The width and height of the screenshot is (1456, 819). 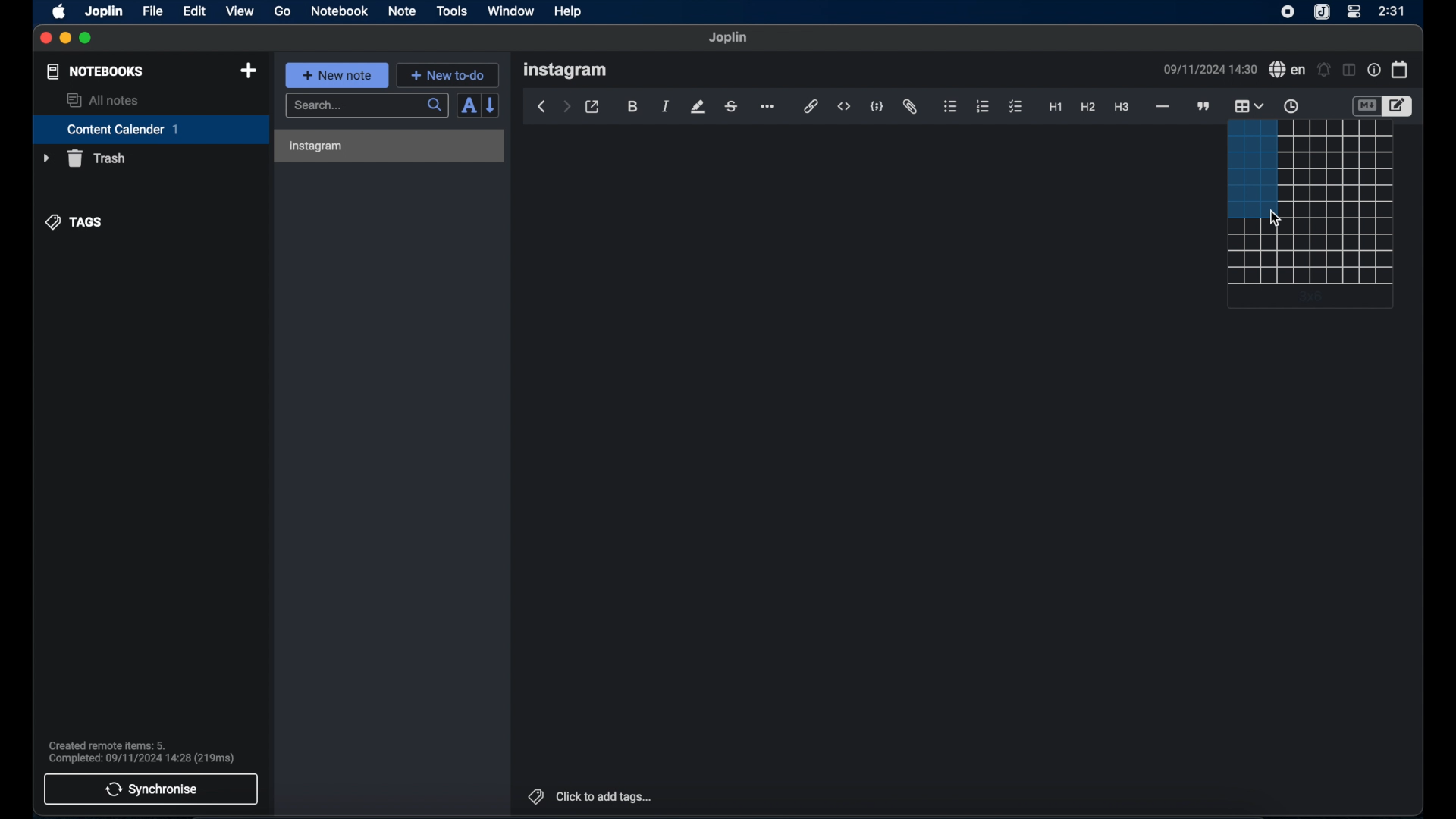 What do you see at coordinates (151, 789) in the screenshot?
I see `synchronise` at bounding box center [151, 789].